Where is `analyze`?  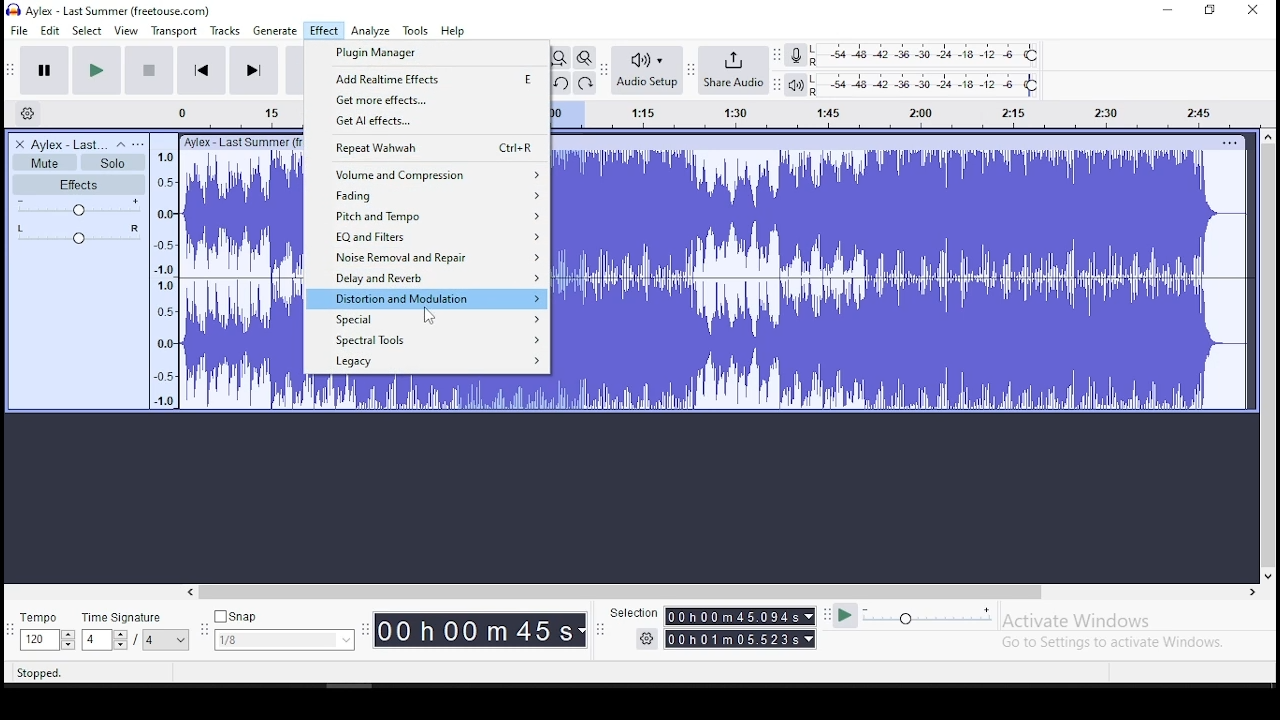 analyze is located at coordinates (372, 31).